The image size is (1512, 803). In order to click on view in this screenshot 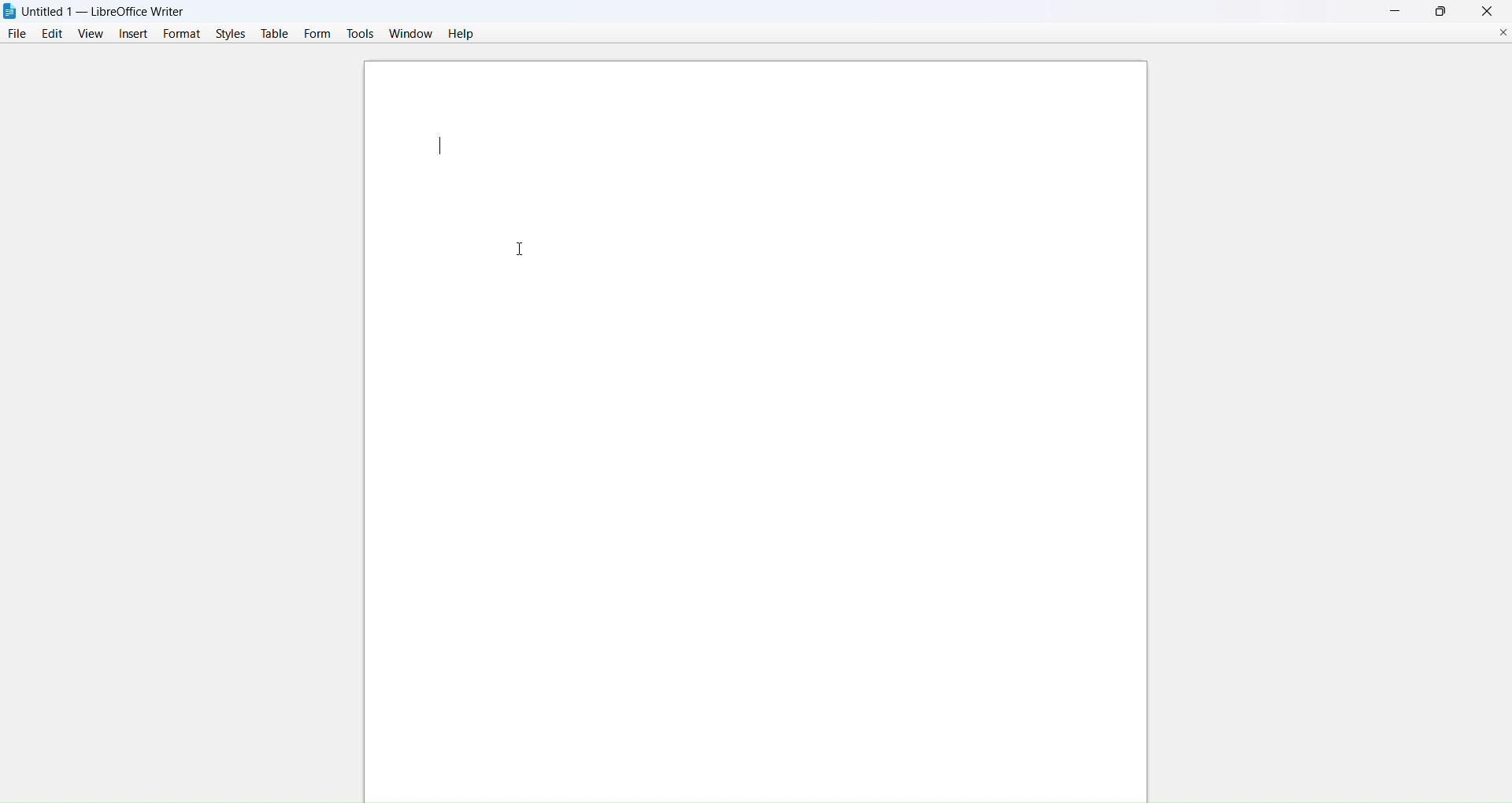, I will do `click(93, 33)`.